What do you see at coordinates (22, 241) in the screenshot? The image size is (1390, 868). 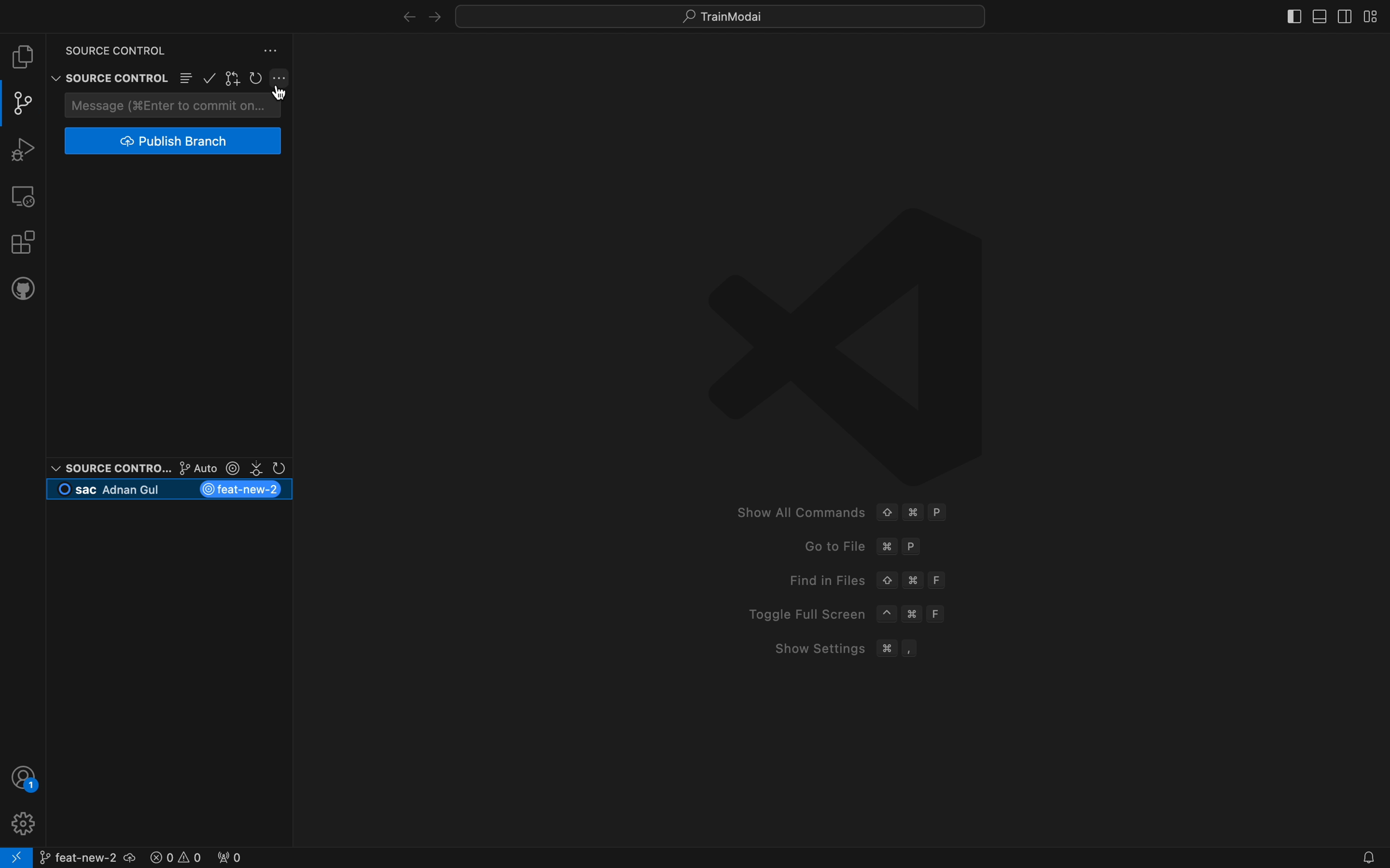 I see `extensions` at bounding box center [22, 241].